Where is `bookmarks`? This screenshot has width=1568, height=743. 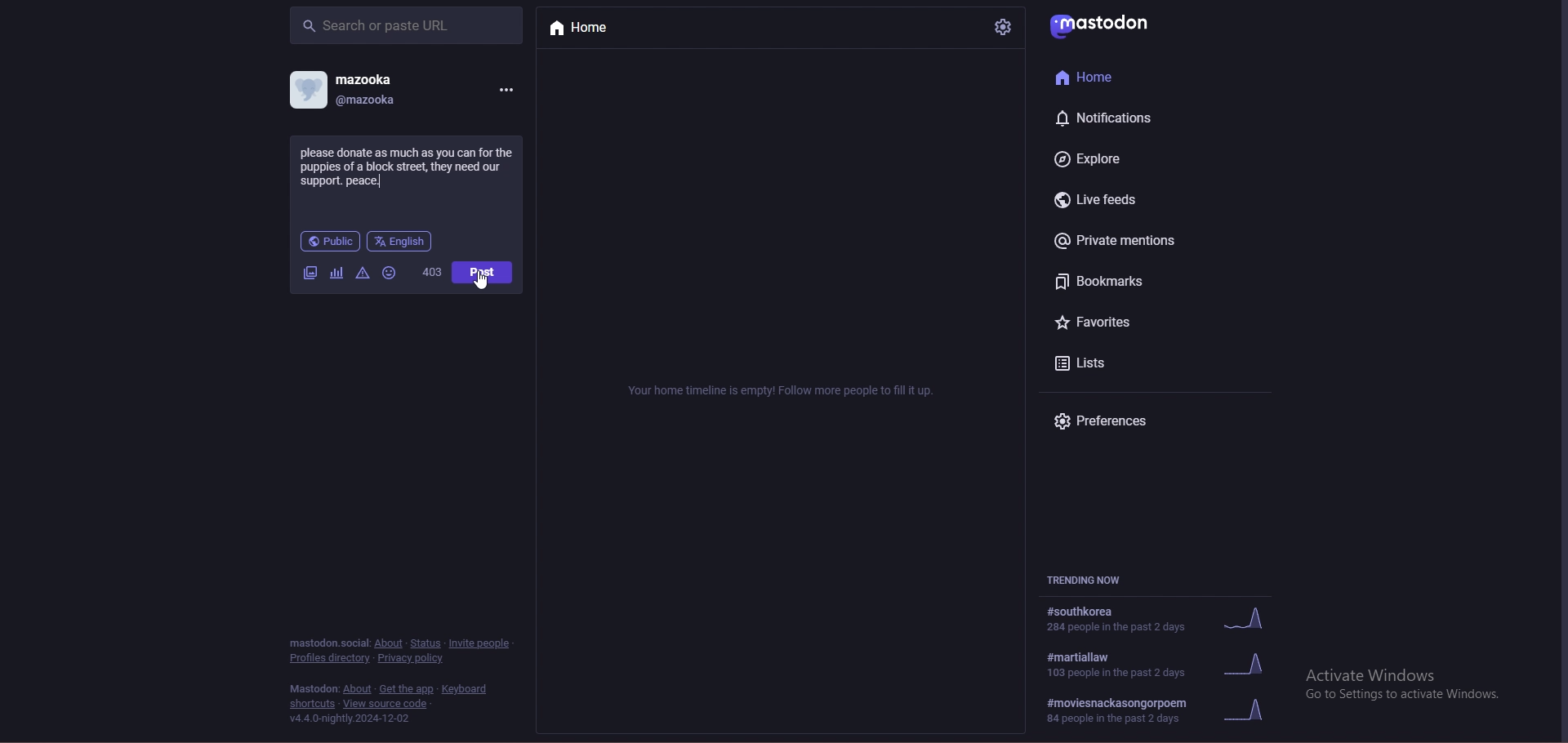 bookmarks is located at coordinates (1137, 284).